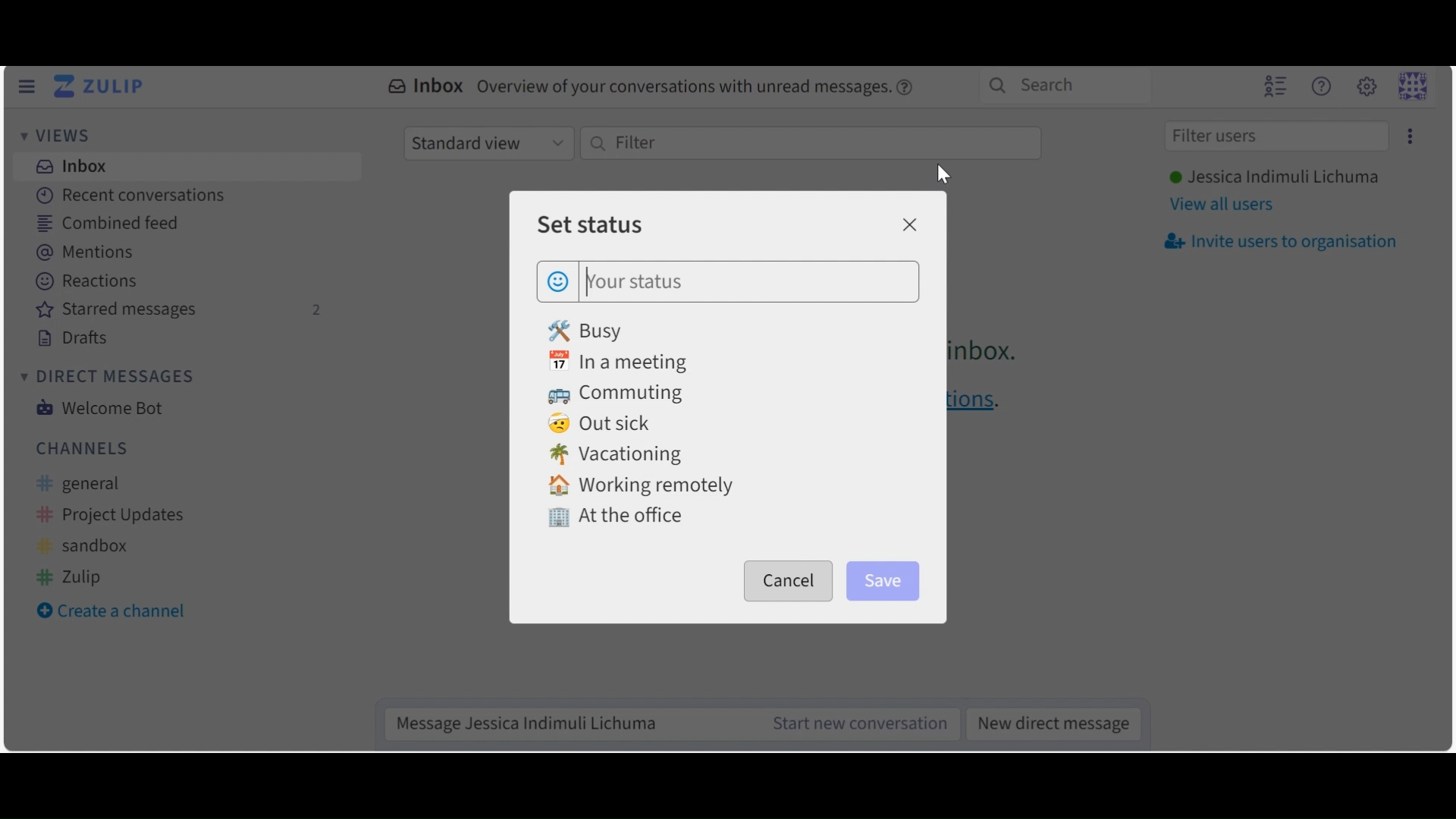 The image size is (1456, 819). I want to click on Mentions, so click(93, 253).